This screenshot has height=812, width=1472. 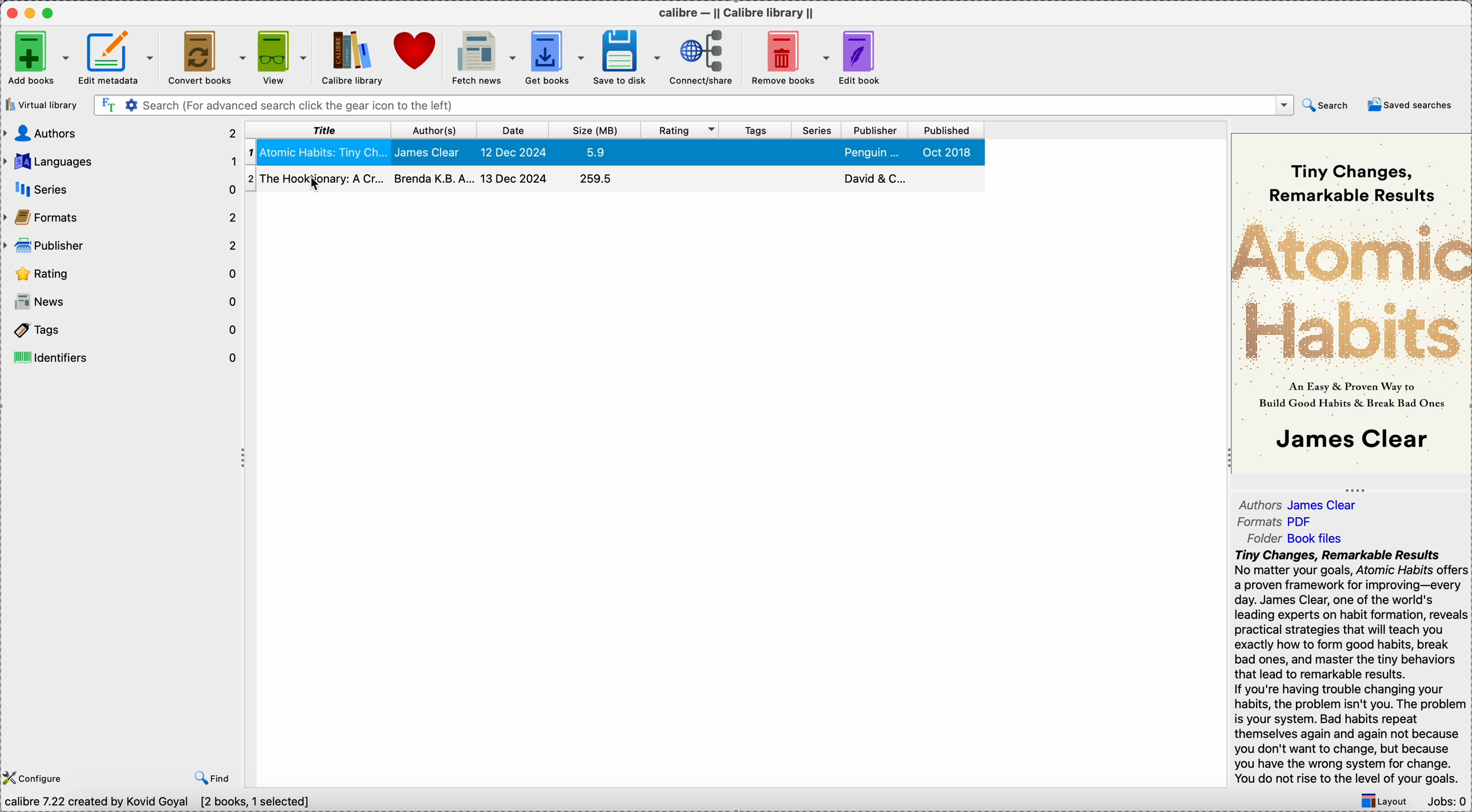 I want to click on view, so click(x=285, y=58).